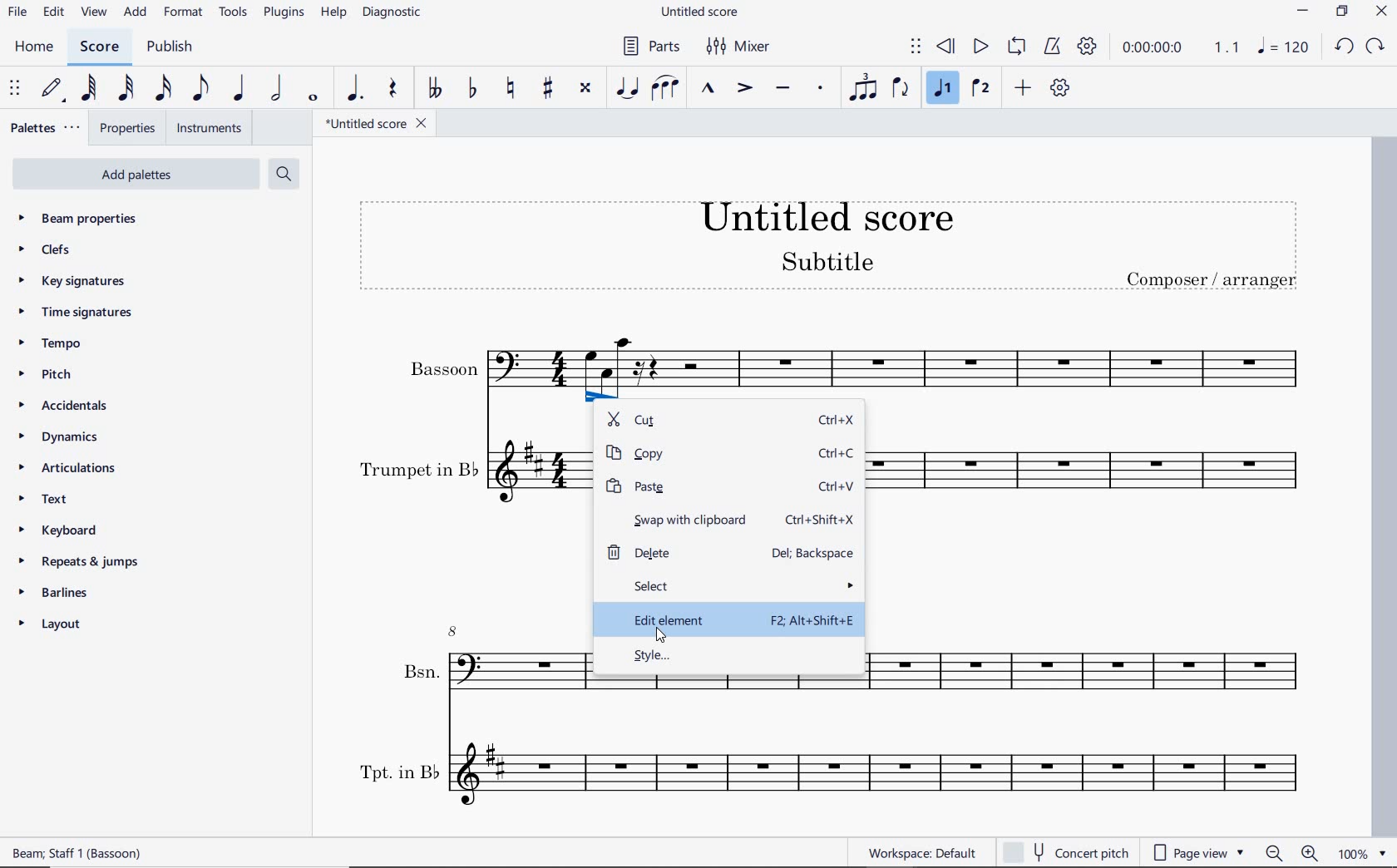 This screenshot has width=1397, height=868. Describe the element at coordinates (135, 12) in the screenshot. I see `add` at that location.